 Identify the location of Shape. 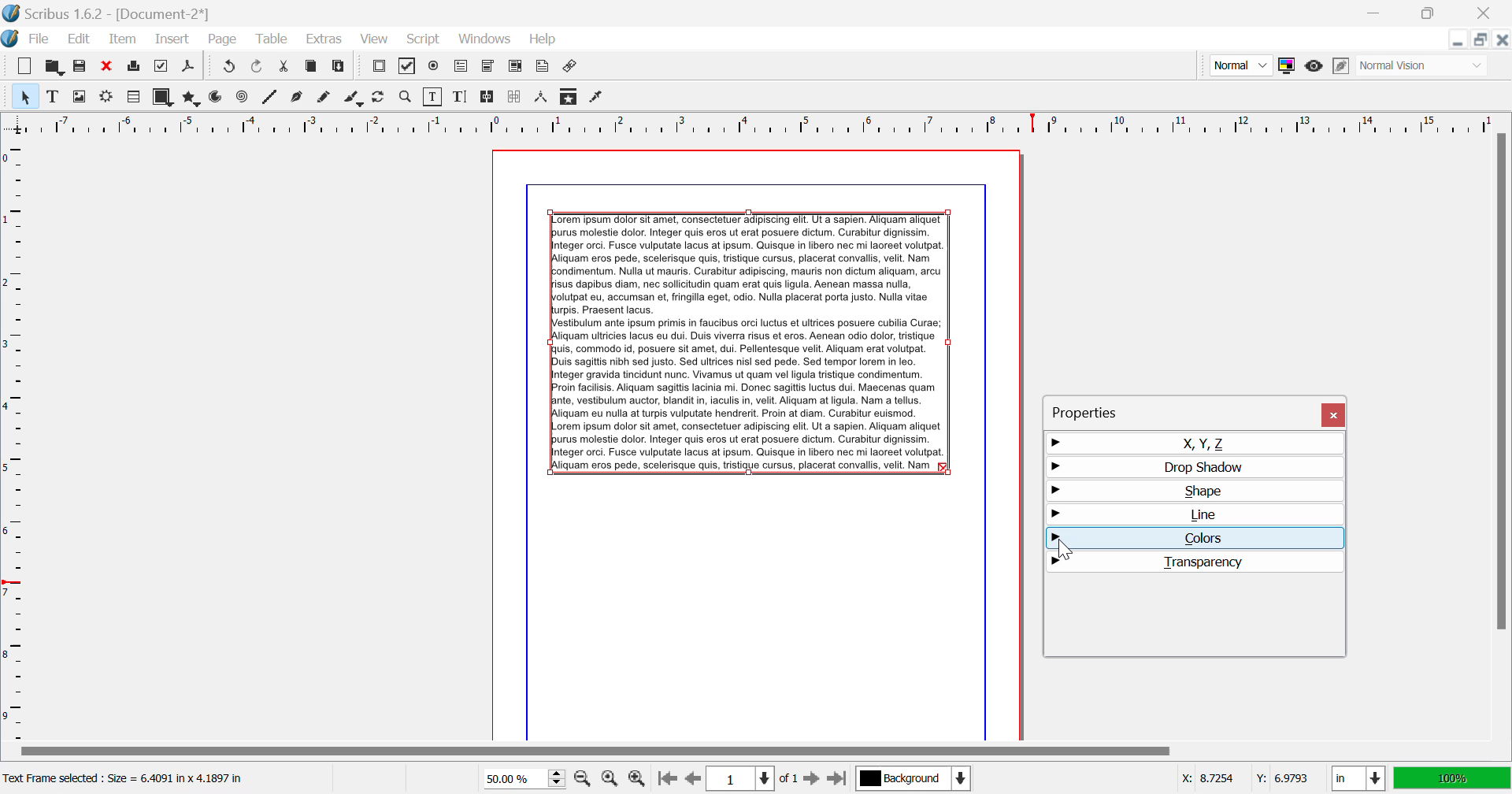
(1194, 492).